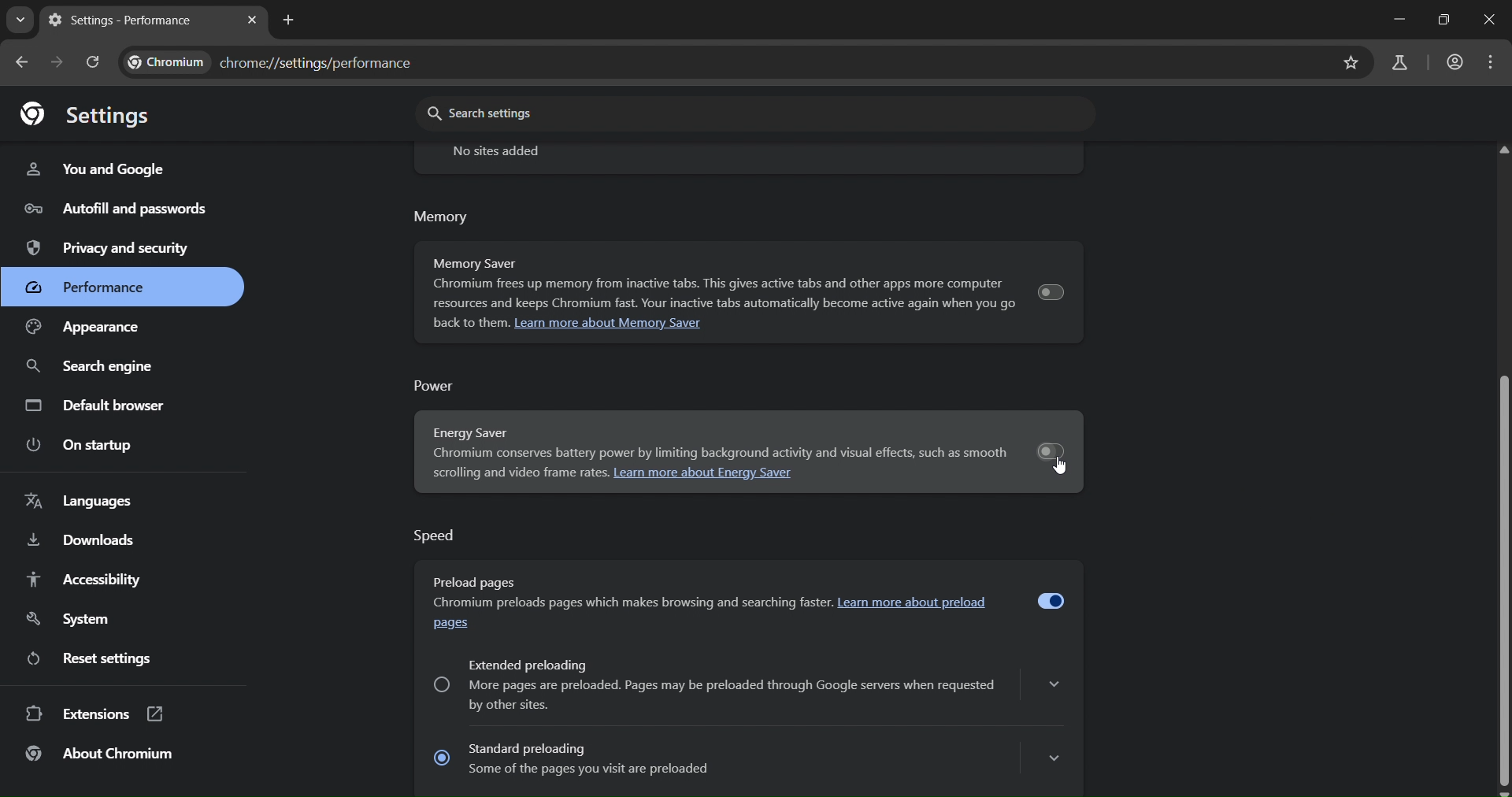 The image size is (1512, 797). Describe the element at coordinates (432, 387) in the screenshot. I see `power` at that location.